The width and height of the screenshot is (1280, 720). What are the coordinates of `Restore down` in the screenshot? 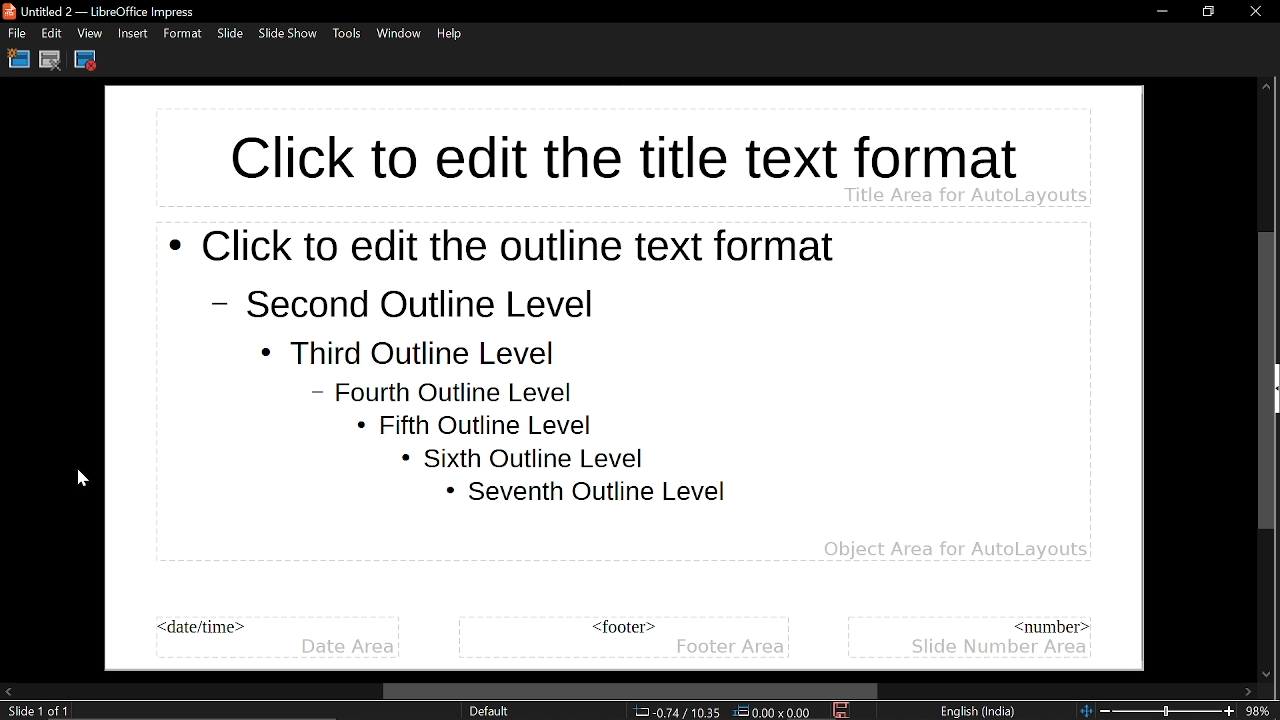 It's located at (1210, 13).